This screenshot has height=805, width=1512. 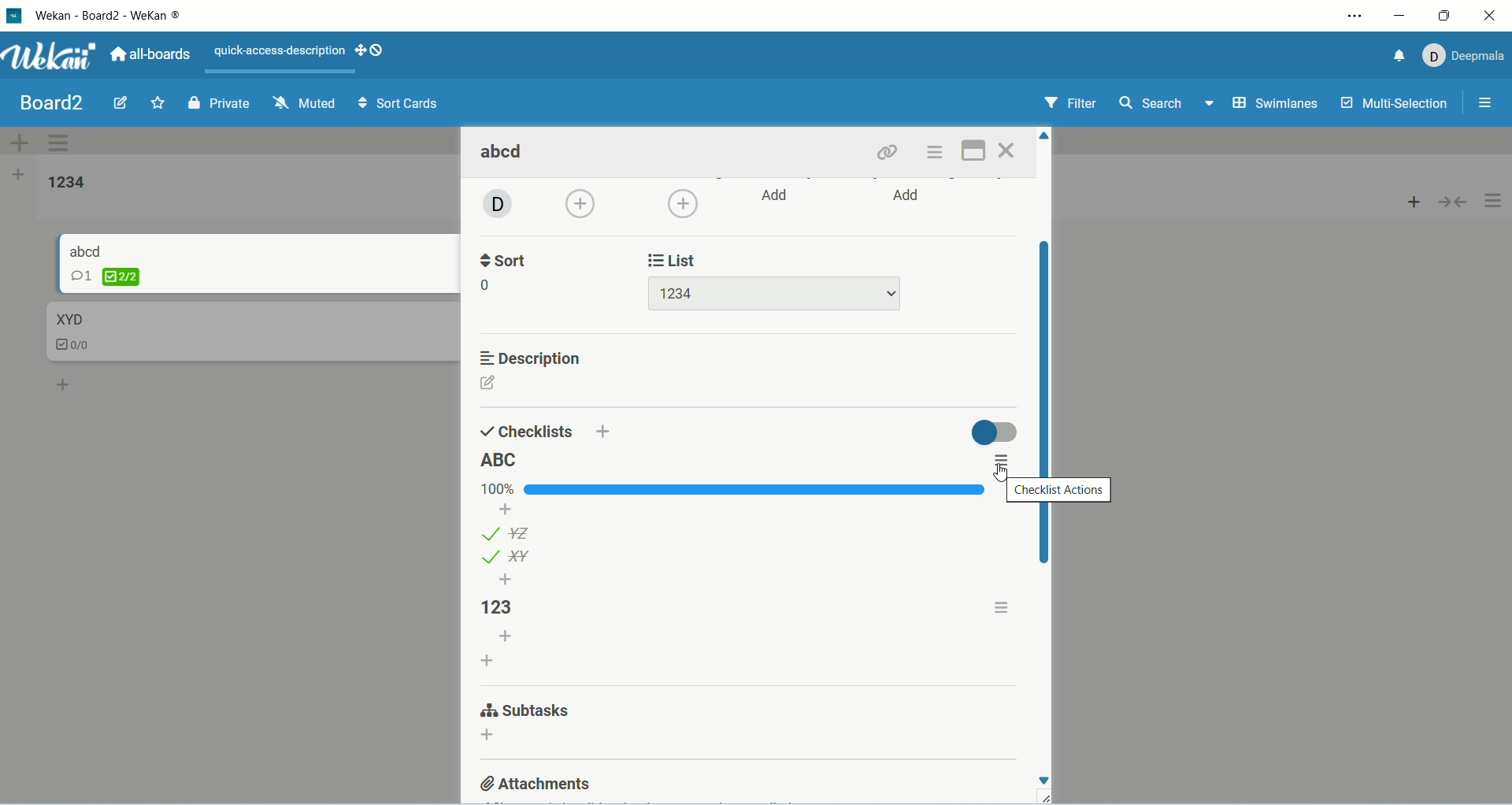 I want to click on list, so click(x=773, y=294).